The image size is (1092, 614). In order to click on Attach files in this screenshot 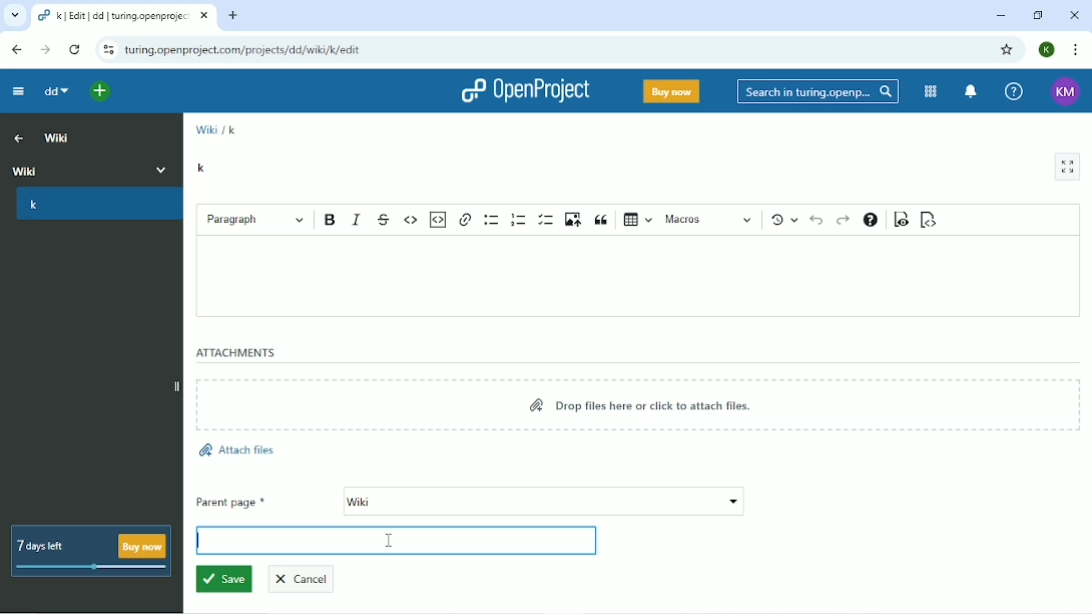, I will do `click(236, 451)`.